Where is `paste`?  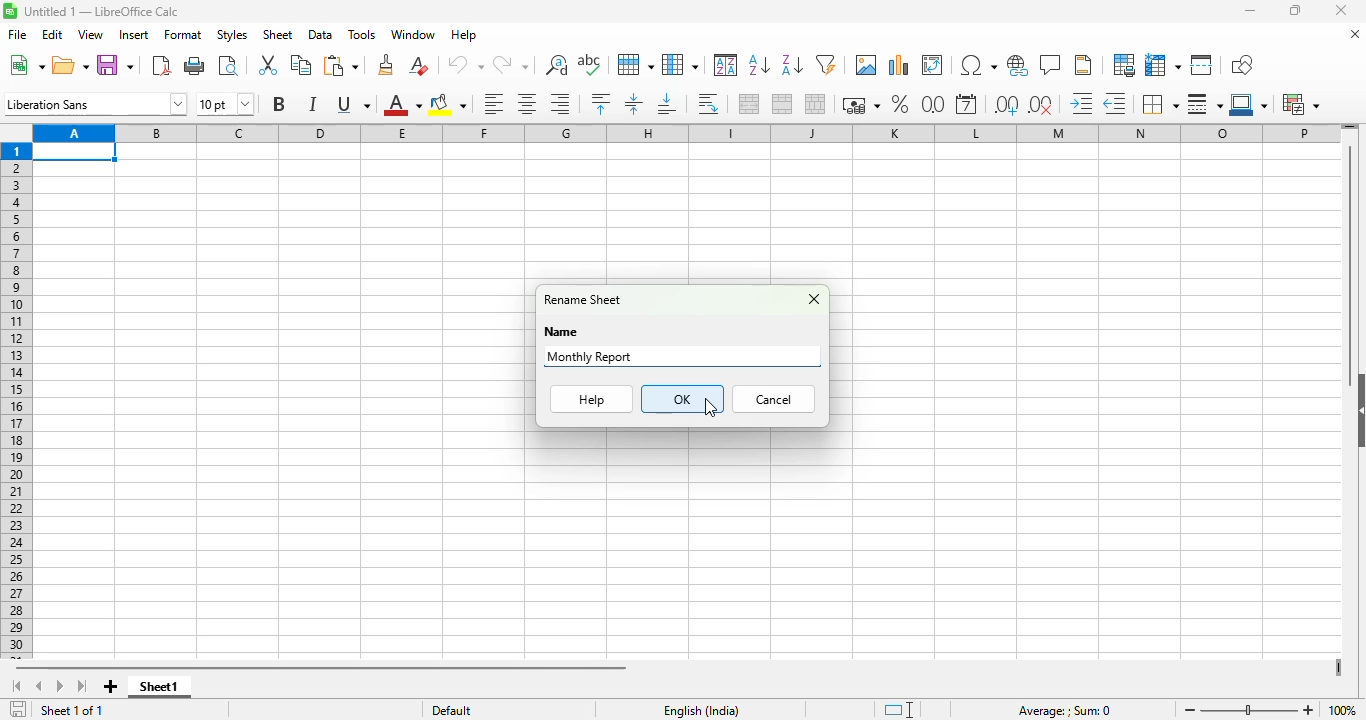
paste is located at coordinates (341, 65).